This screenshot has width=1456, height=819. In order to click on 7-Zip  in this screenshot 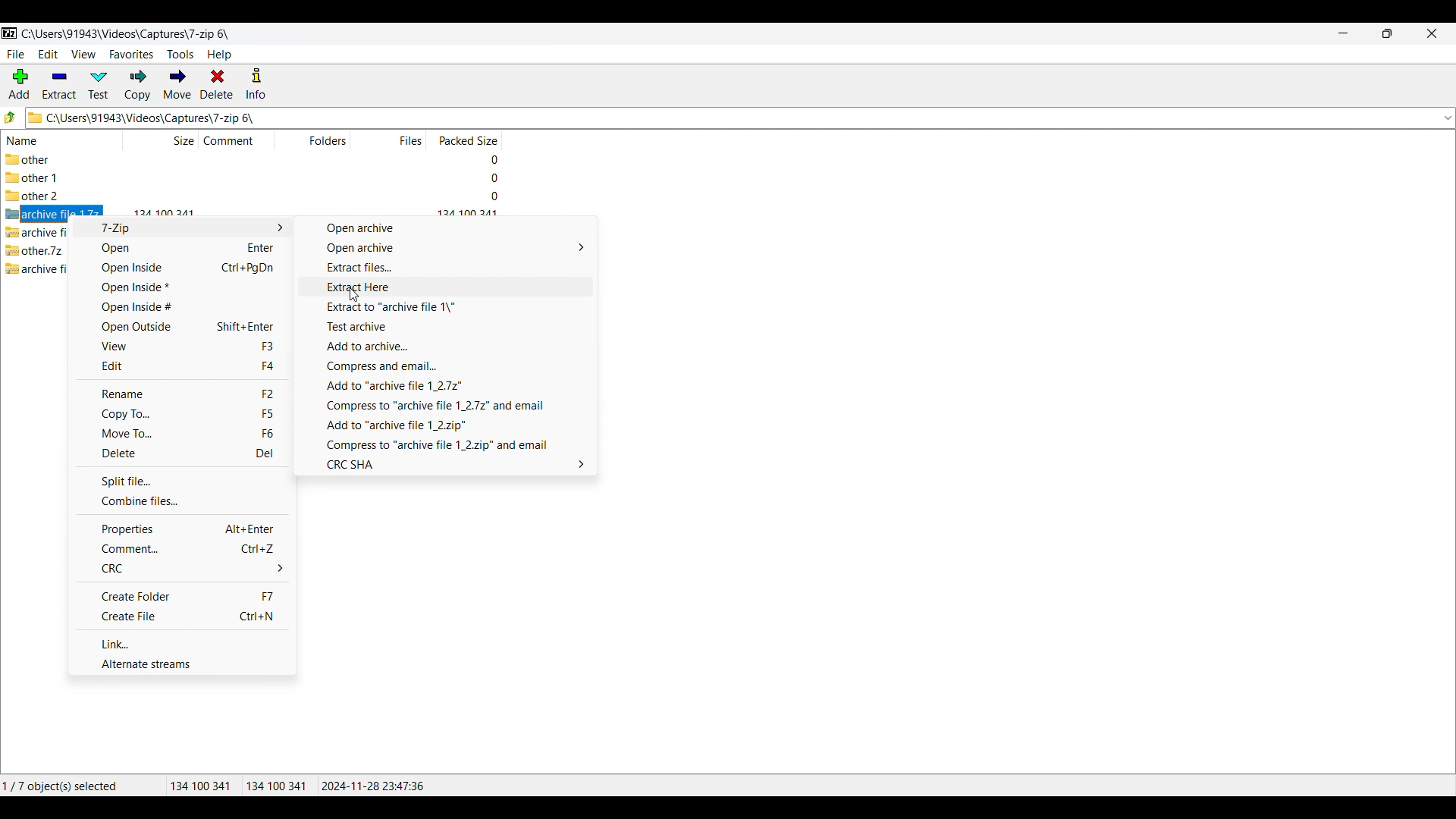, I will do `click(180, 227)`.